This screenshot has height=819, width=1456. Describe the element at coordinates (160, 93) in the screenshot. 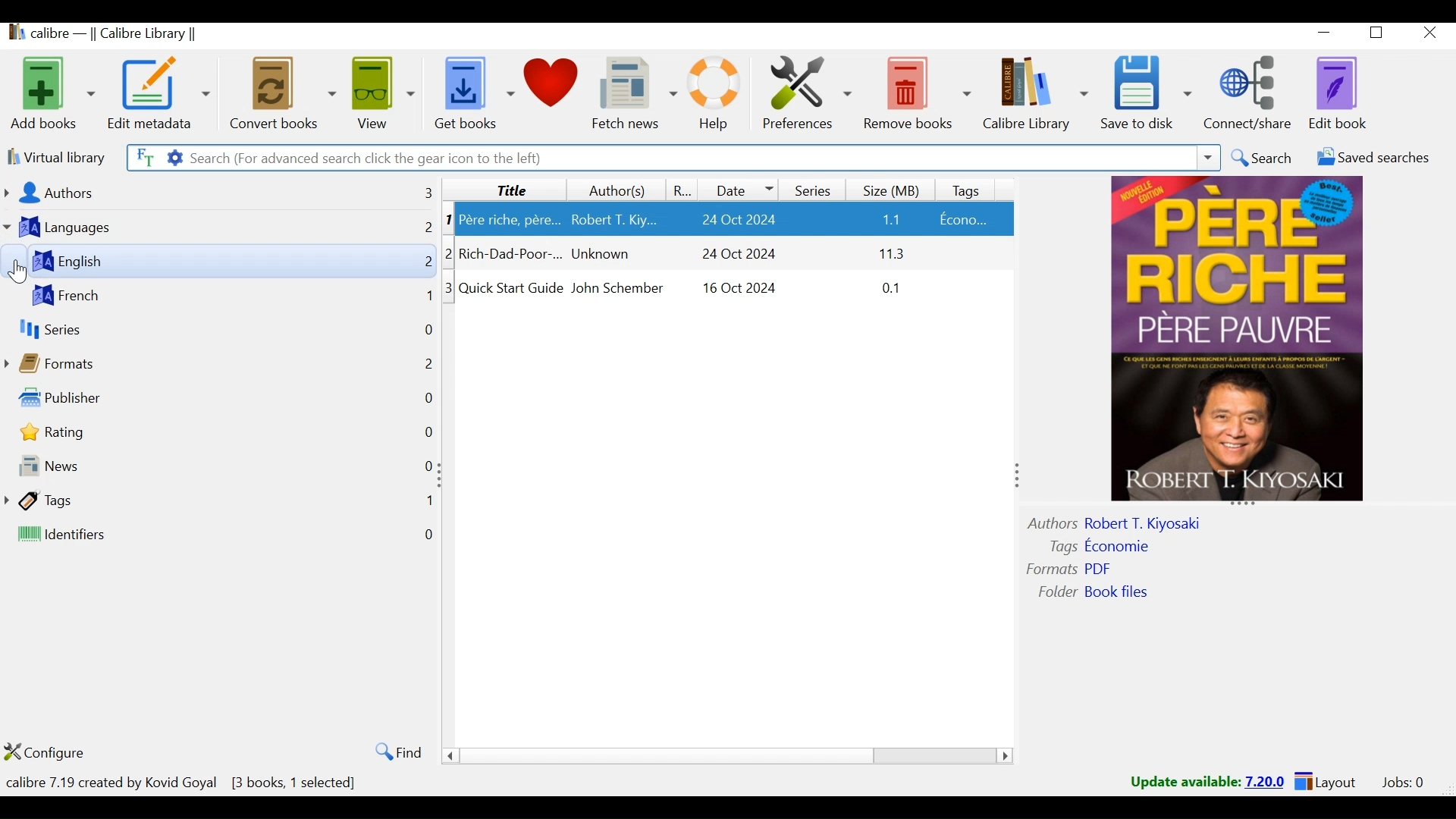

I see `Edit metadat` at that location.